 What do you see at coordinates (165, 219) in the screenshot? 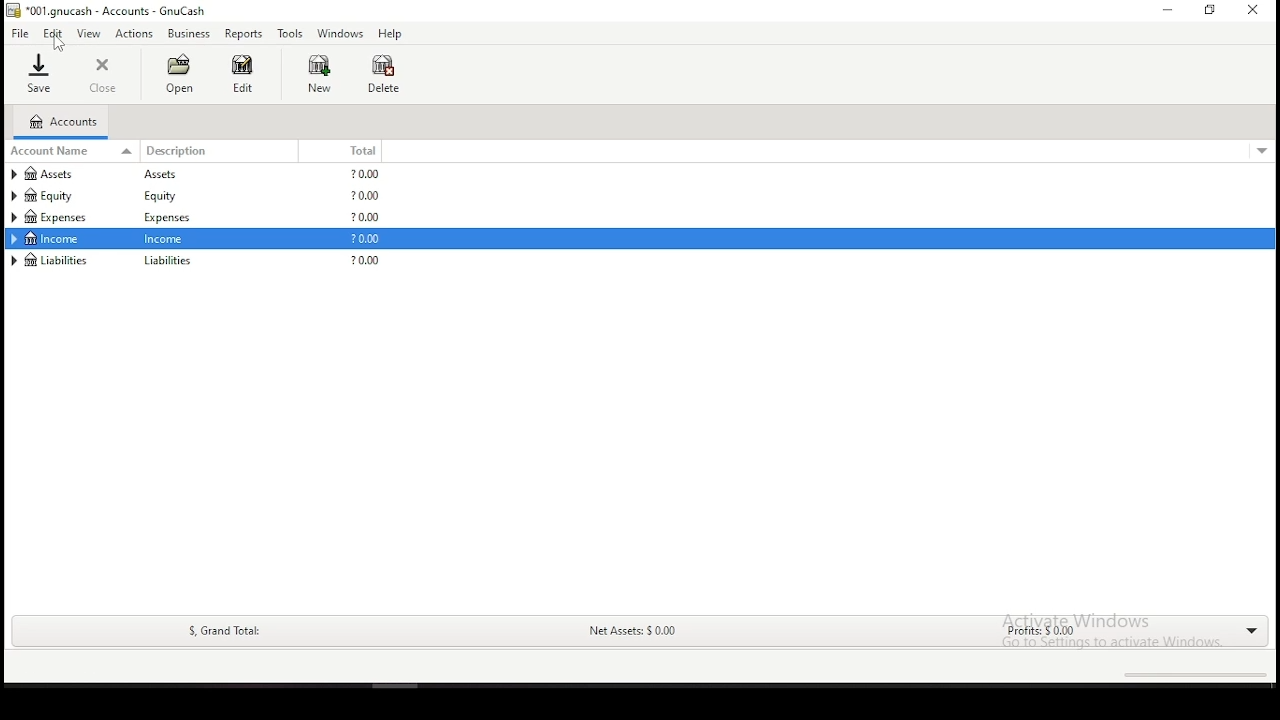
I see `Expenses` at bounding box center [165, 219].